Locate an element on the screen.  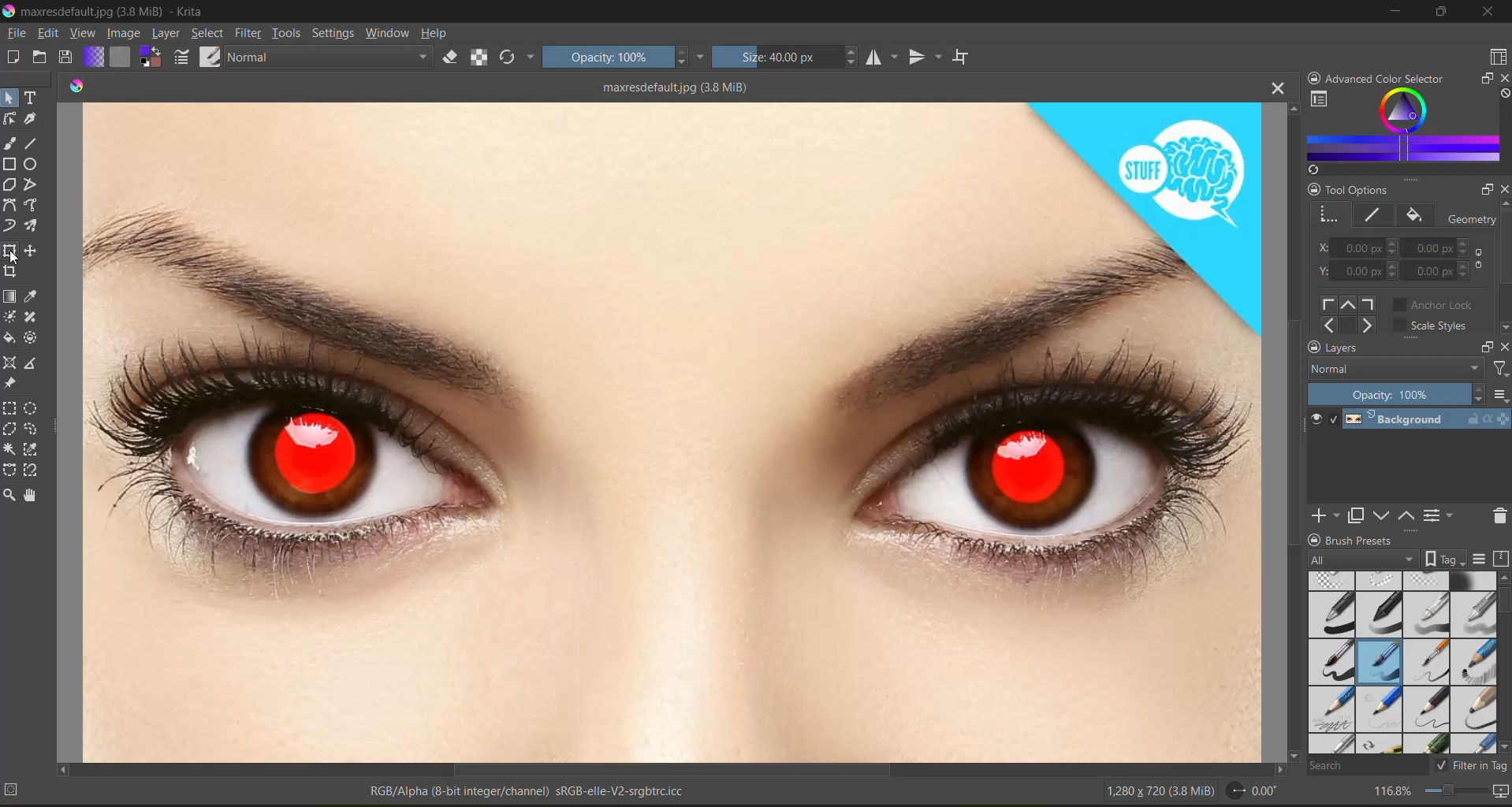
tool is located at coordinates (35, 493).